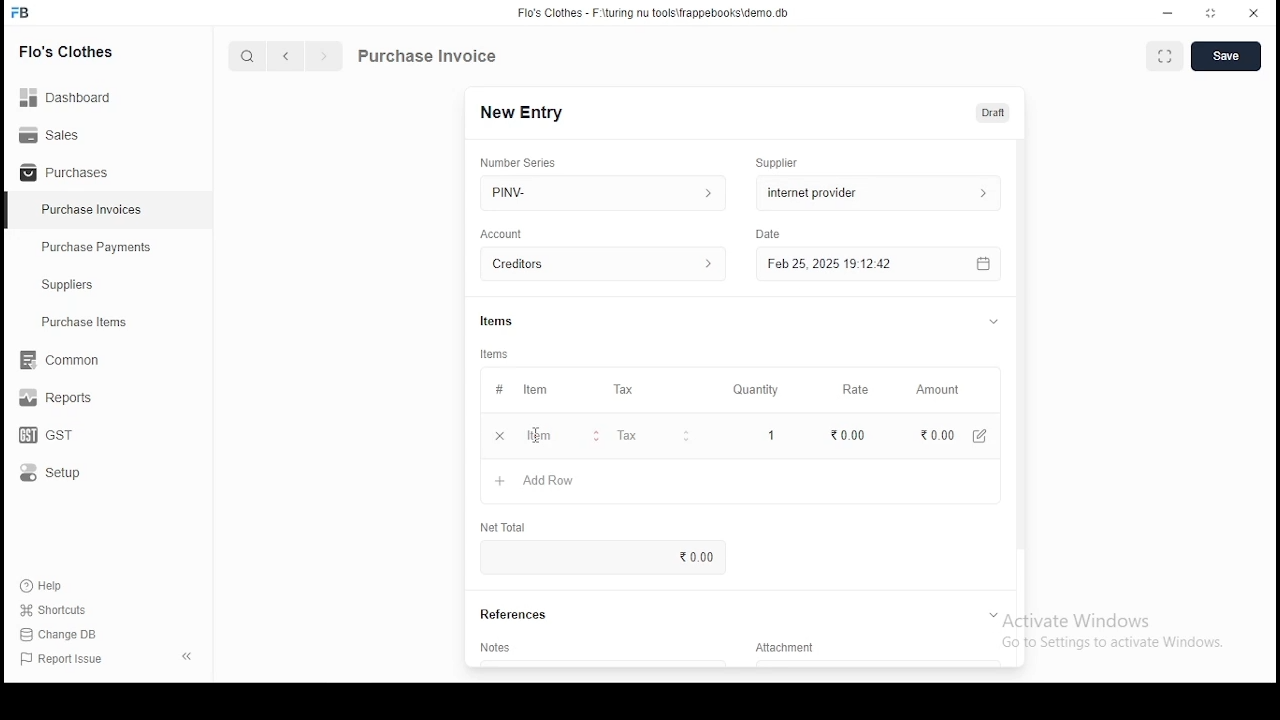  What do you see at coordinates (1170, 12) in the screenshot?
I see `minimize` at bounding box center [1170, 12].